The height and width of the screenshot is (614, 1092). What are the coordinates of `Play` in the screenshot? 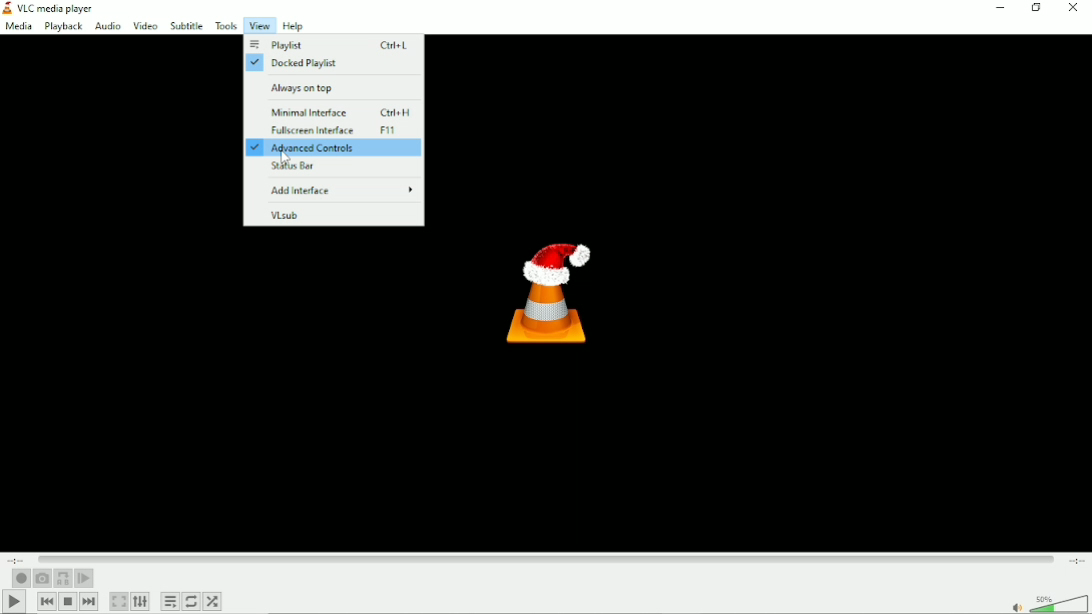 It's located at (12, 602).